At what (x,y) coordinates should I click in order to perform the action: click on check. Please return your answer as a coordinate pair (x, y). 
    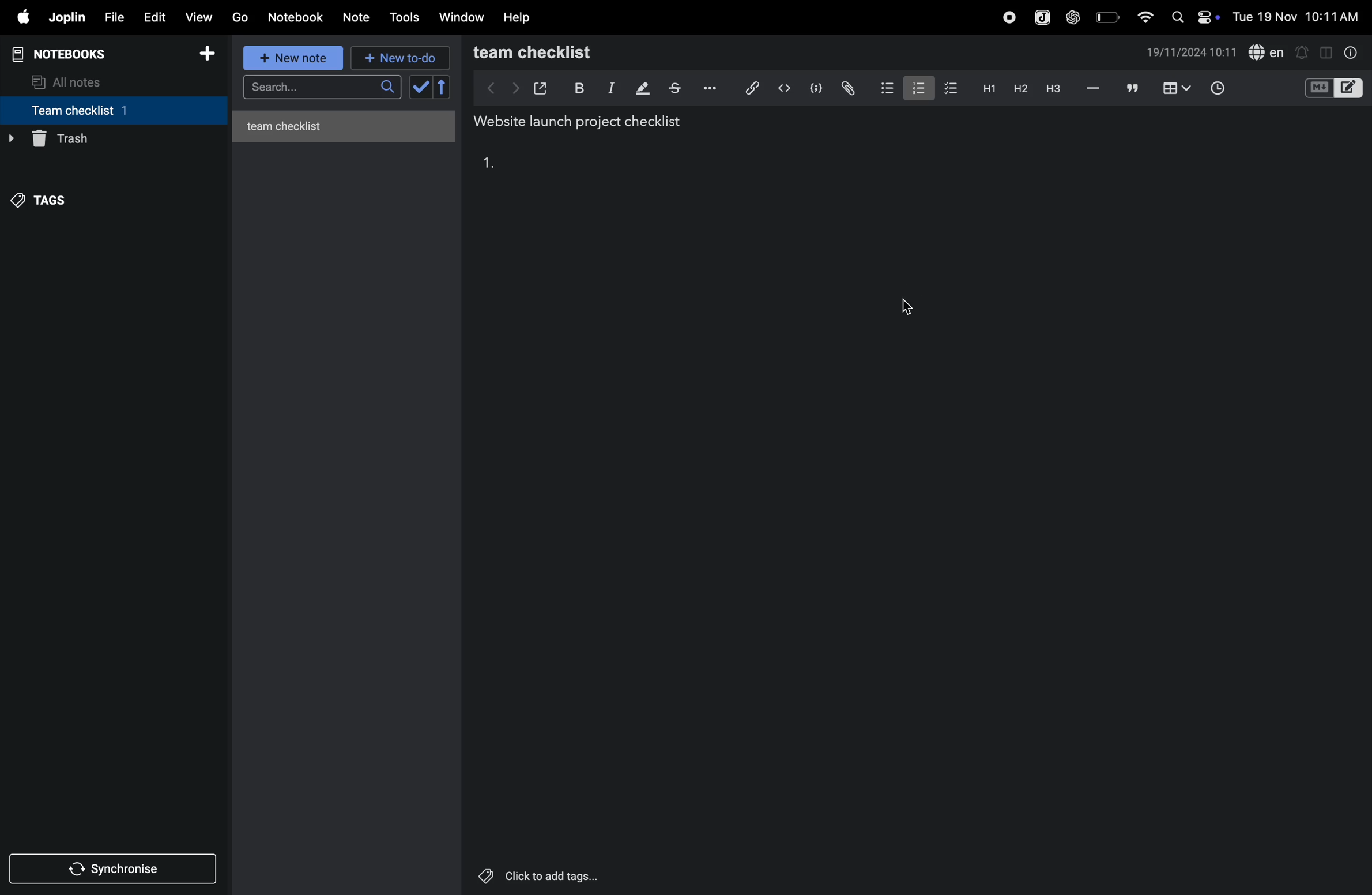
    Looking at the image, I should click on (431, 88).